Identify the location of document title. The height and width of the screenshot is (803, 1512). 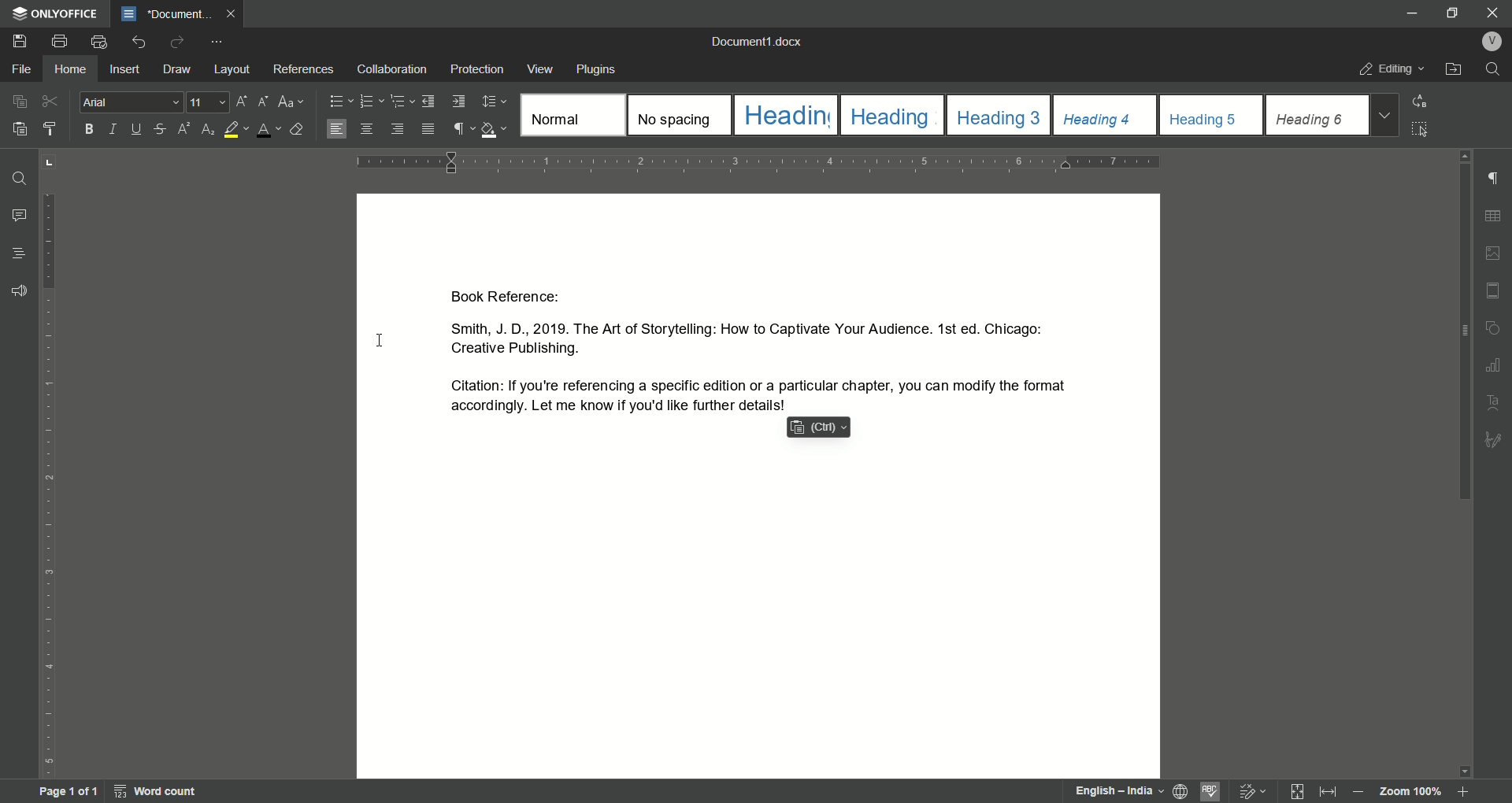
(166, 13).